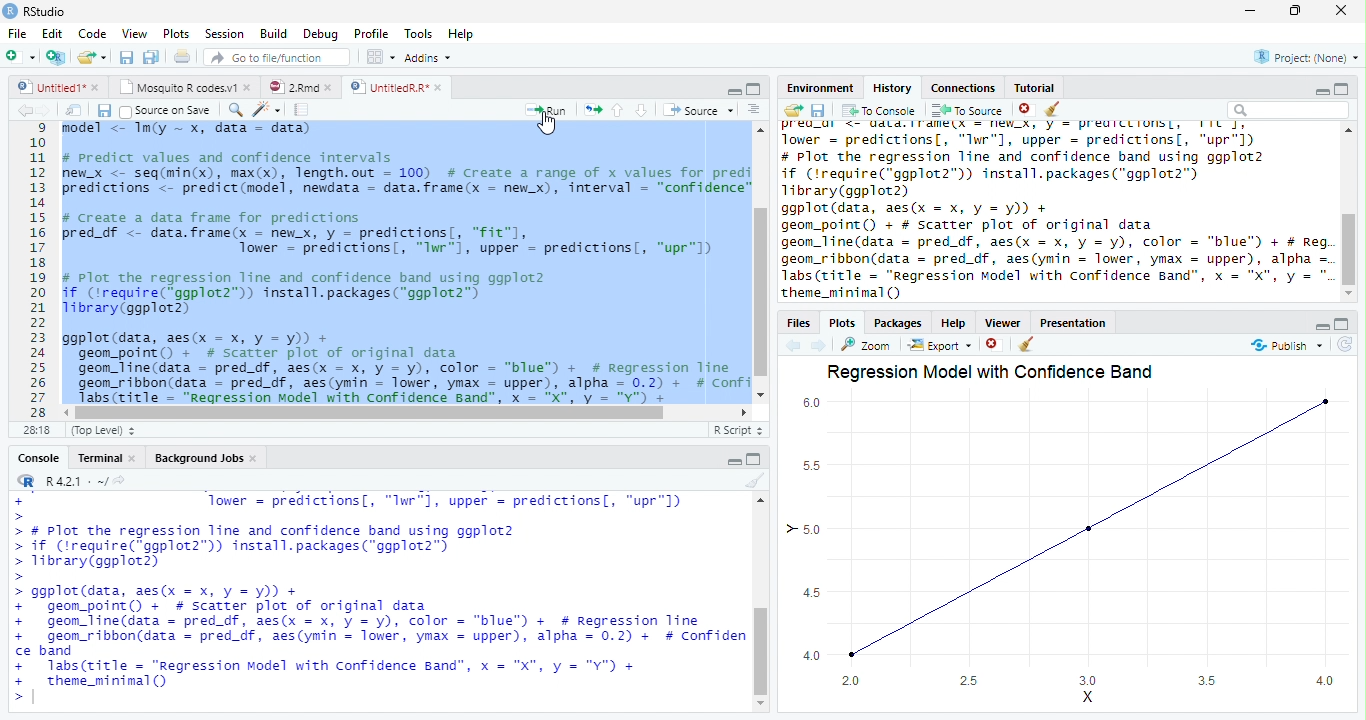  I want to click on “lower = predictions, "lwr’], upper = predictions, “upr"]), so click(437, 500).